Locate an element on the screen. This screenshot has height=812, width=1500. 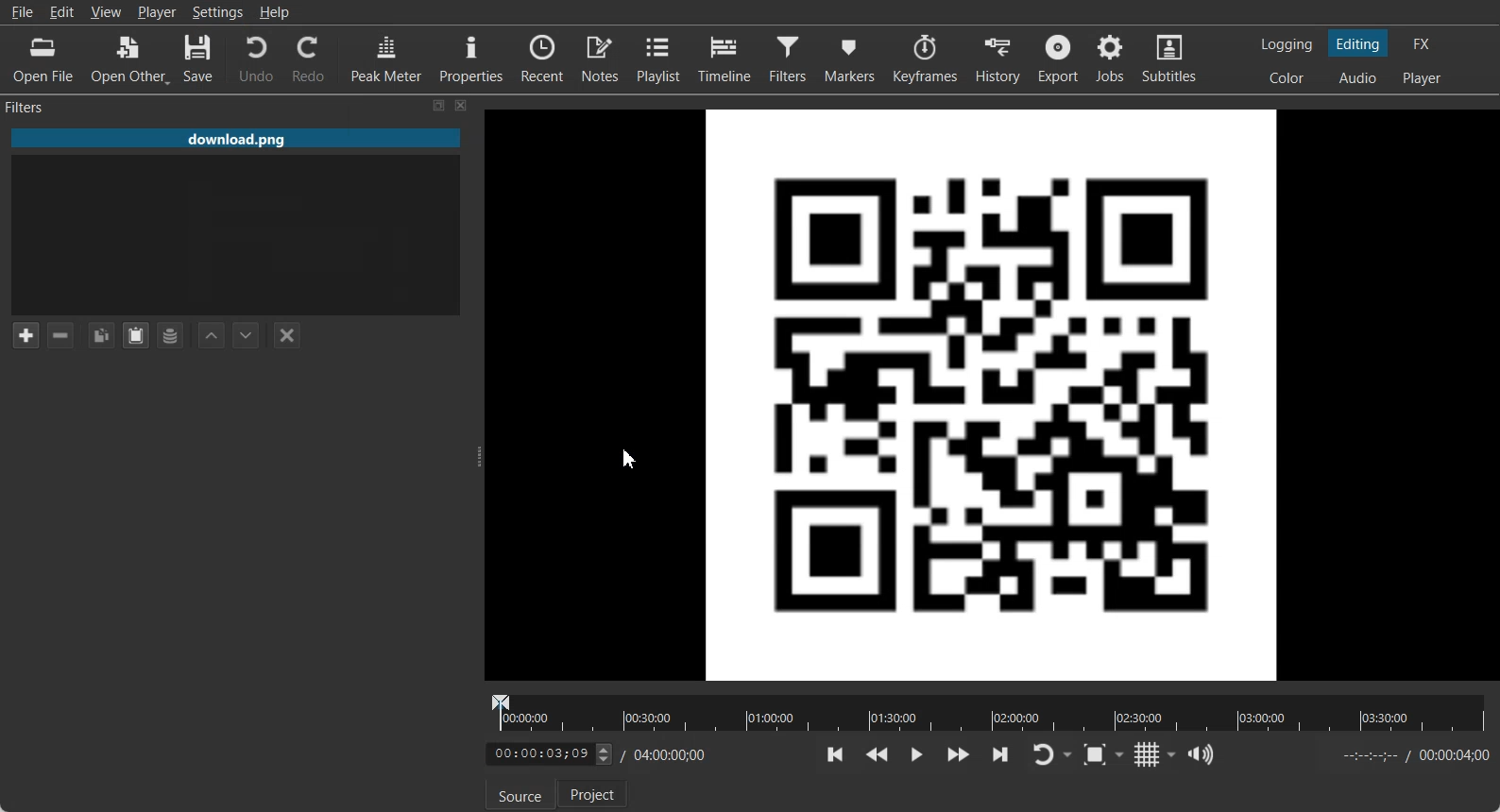
Export is located at coordinates (1058, 59).